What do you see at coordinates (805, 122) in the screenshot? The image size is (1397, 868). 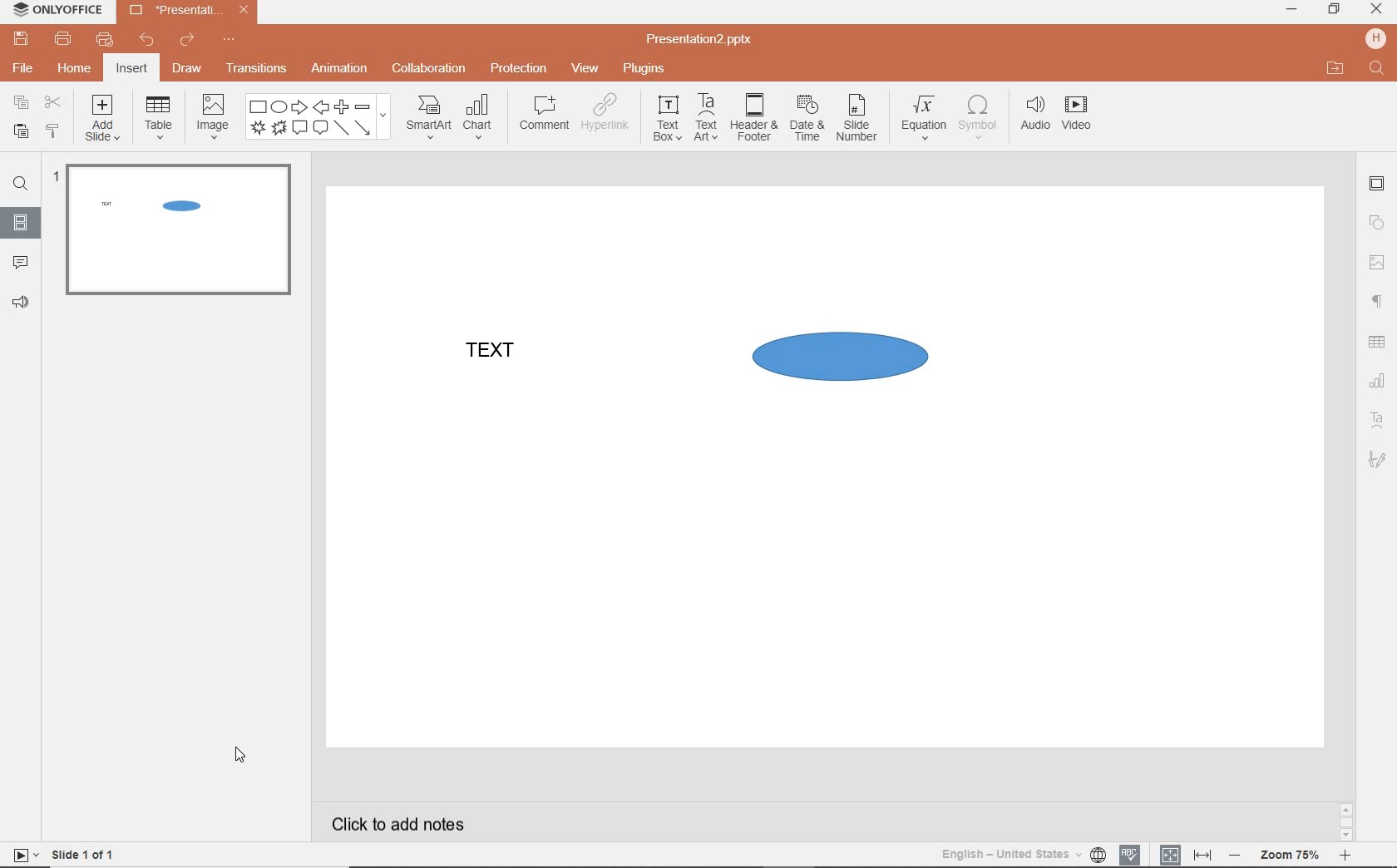 I see `date & time` at bounding box center [805, 122].